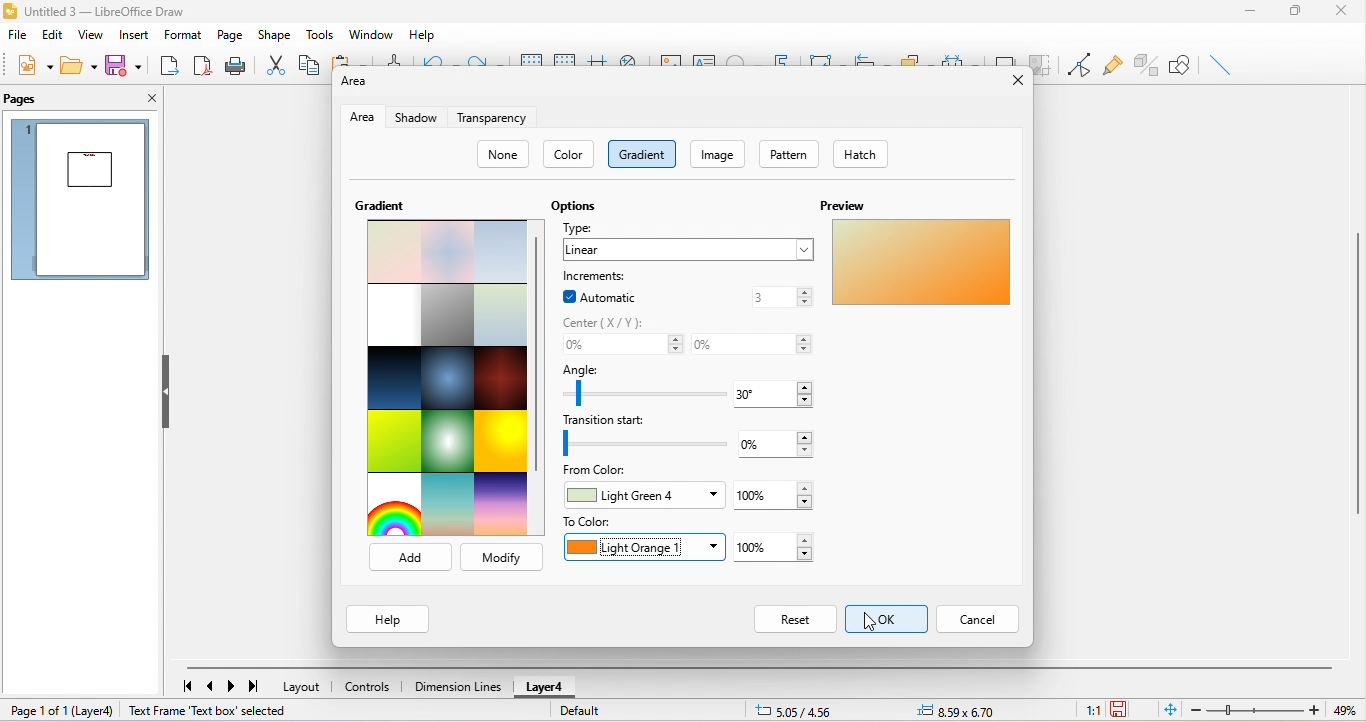  Describe the element at coordinates (873, 622) in the screenshot. I see `cursor movement` at that location.